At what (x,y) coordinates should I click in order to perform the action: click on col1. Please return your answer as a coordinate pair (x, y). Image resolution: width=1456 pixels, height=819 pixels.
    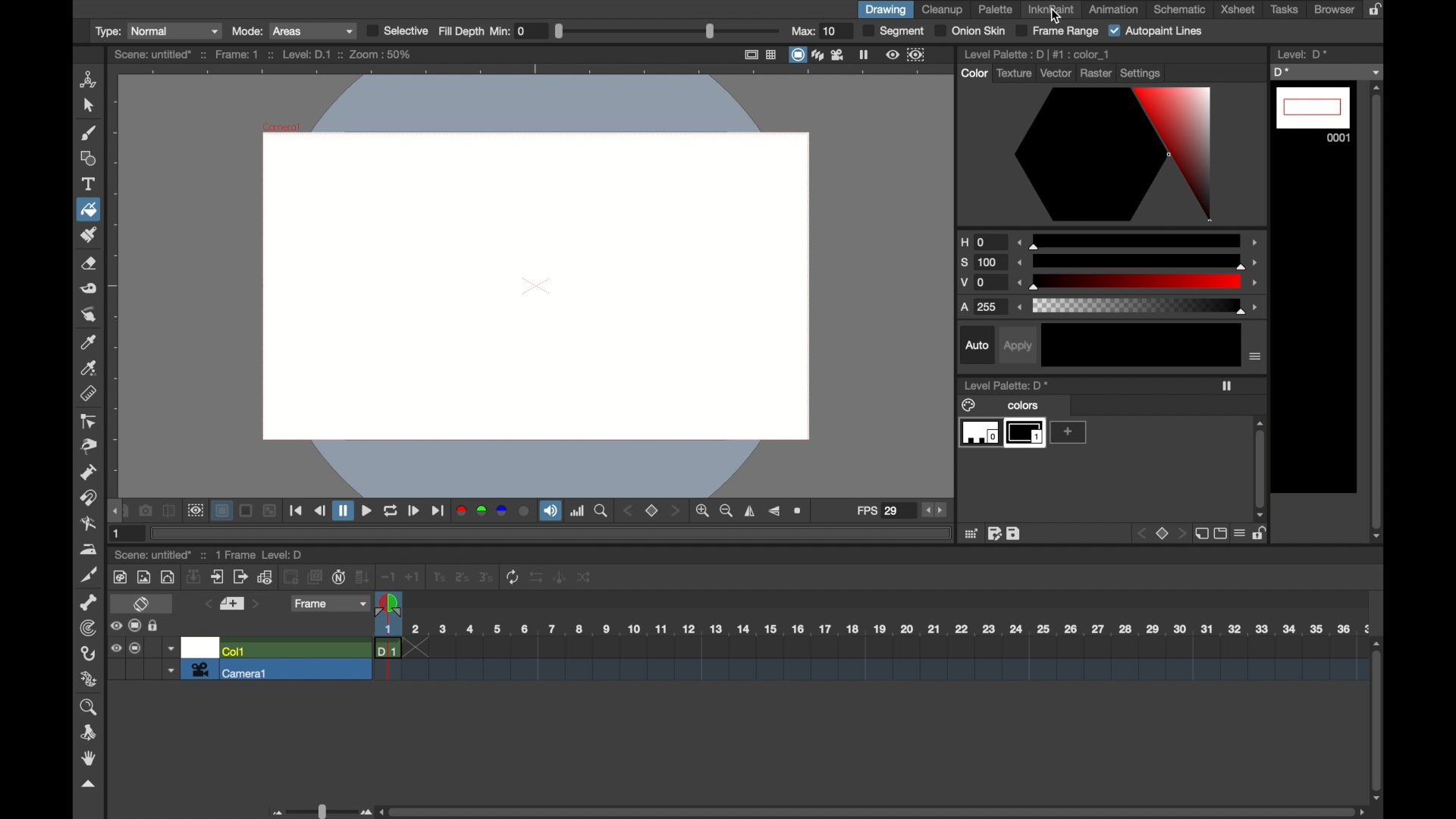
    Looking at the image, I should click on (235, 651).